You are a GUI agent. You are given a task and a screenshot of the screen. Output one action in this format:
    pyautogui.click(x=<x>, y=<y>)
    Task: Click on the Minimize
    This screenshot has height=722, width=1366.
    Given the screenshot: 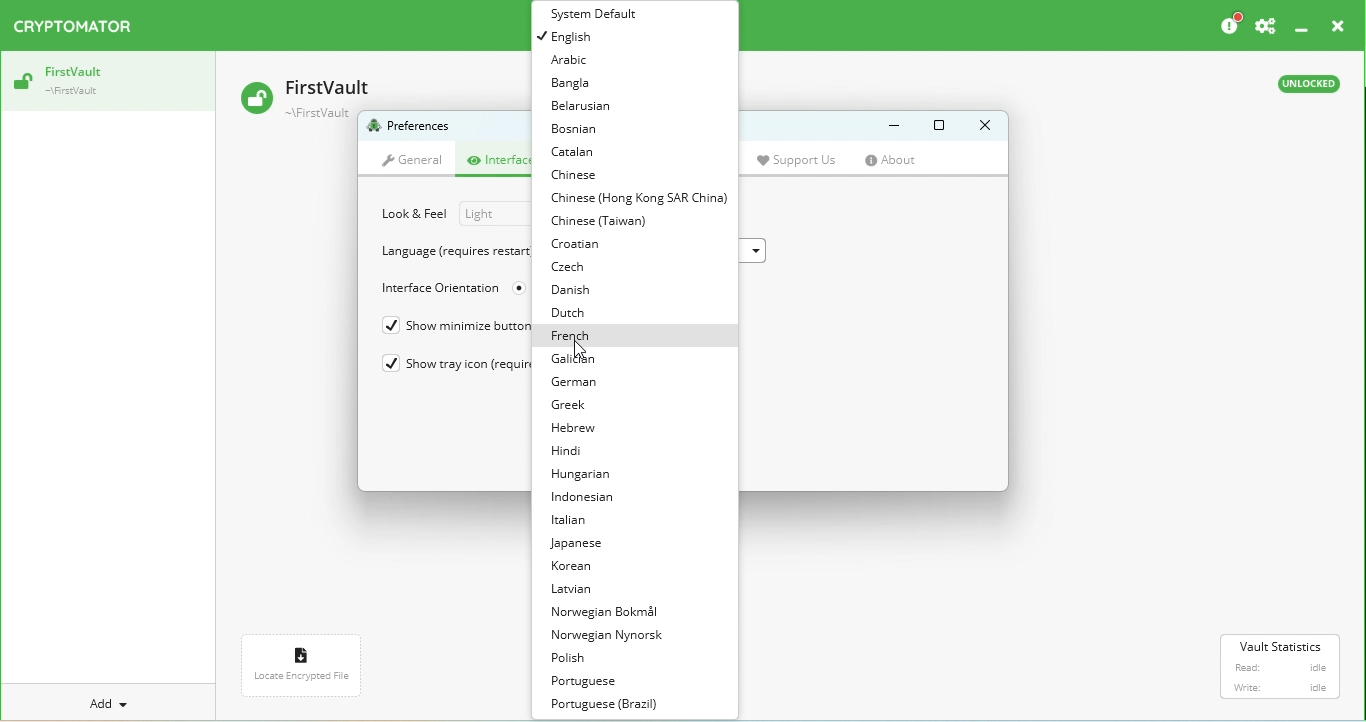 What is the action you would take?
    pyautogui.click(x=886, y=126)
    